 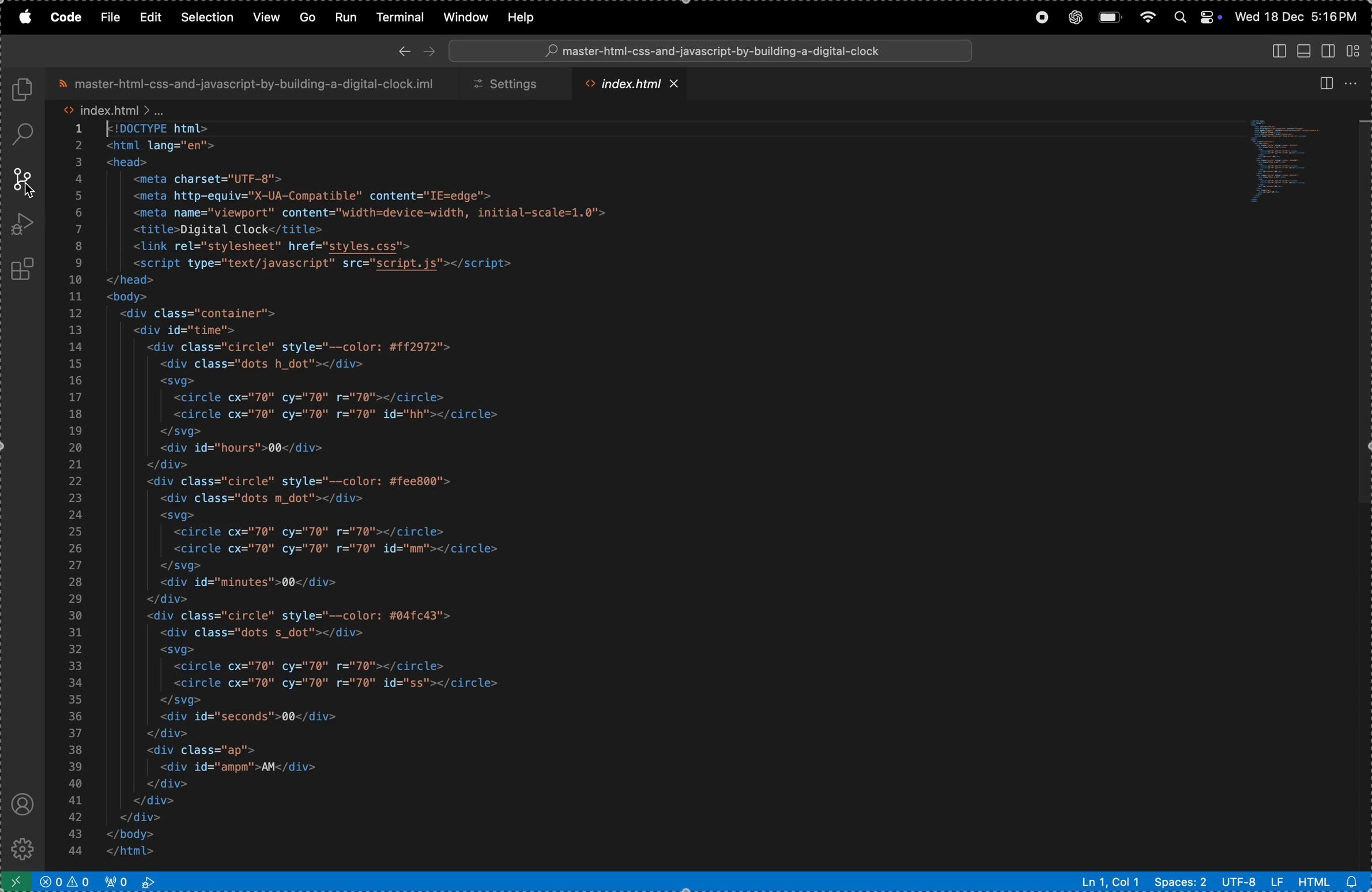 What do you see at coordinates (1041, 18) in the screenshot?
I see `record` at bounding box center [1041, 18].